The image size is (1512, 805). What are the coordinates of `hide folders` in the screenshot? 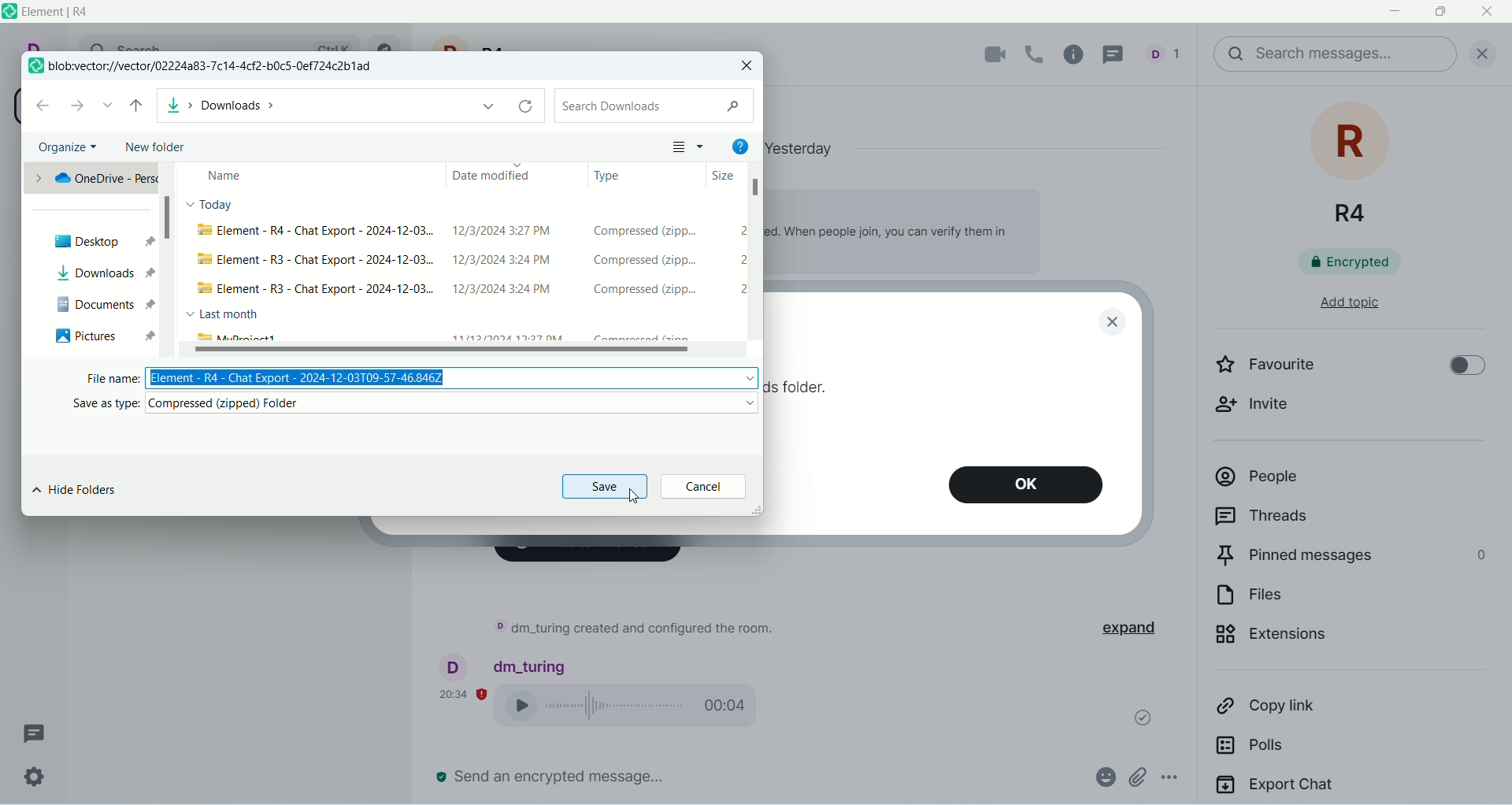 It's located at (75, 492).